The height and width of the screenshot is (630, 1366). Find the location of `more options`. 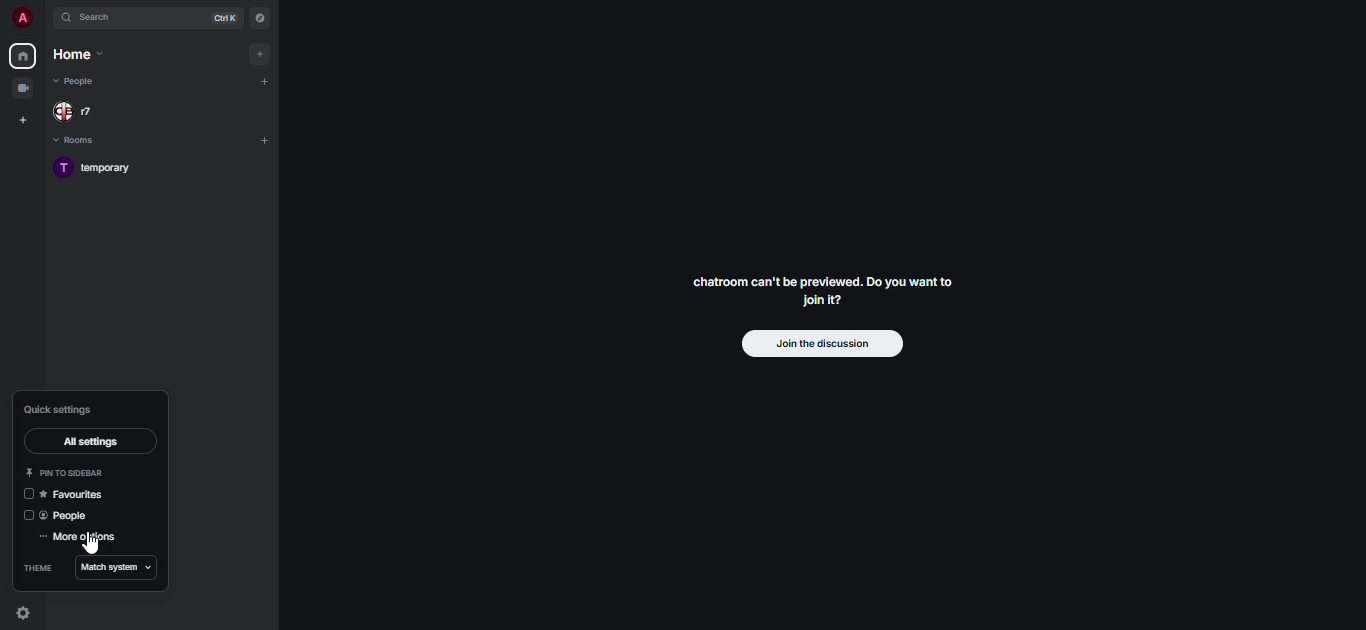

more options is located at coordinates (87, 537).